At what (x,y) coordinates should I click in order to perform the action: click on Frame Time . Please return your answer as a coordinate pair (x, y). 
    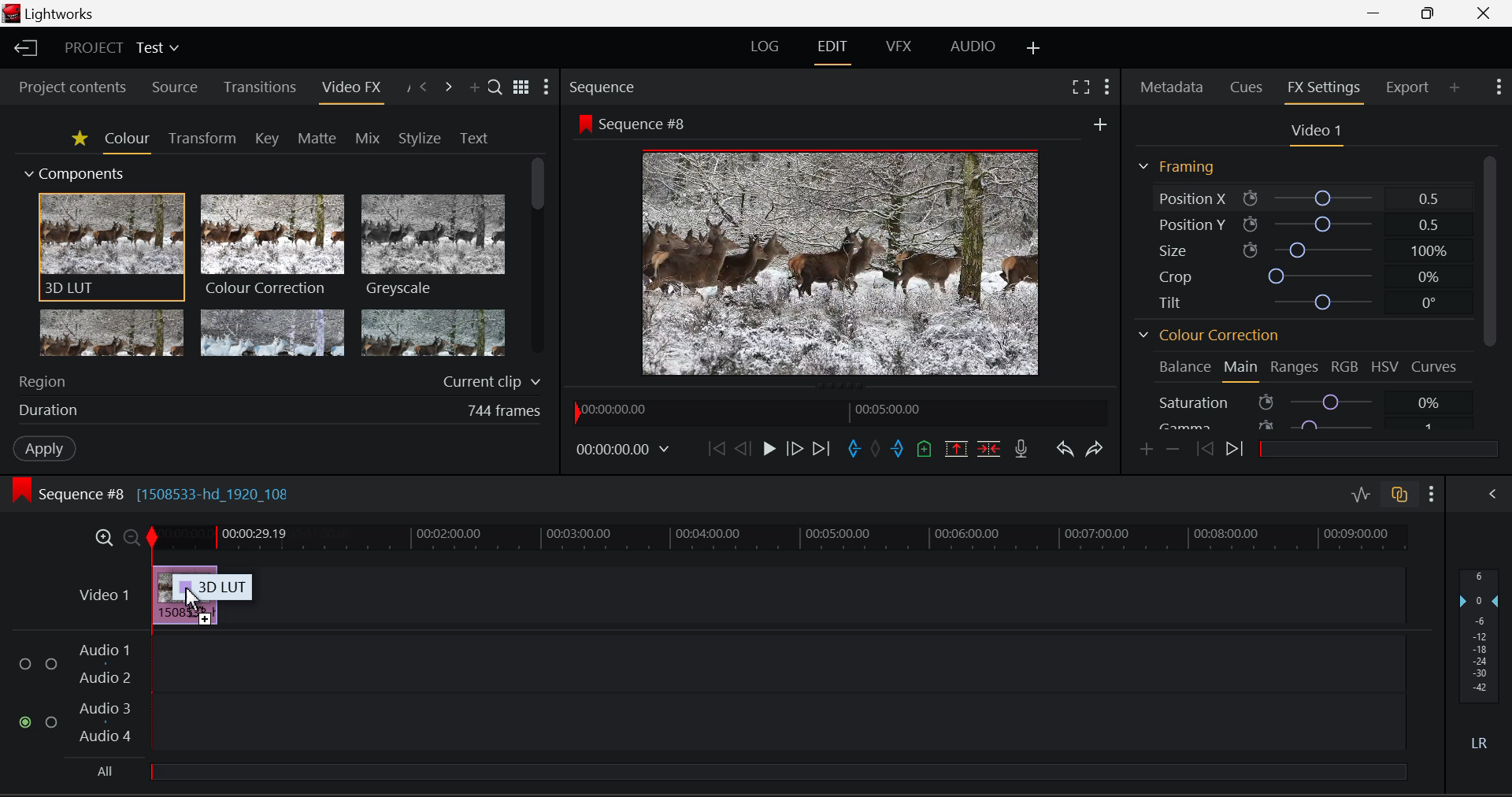
    Looking at the image, I should click on (622, 453).